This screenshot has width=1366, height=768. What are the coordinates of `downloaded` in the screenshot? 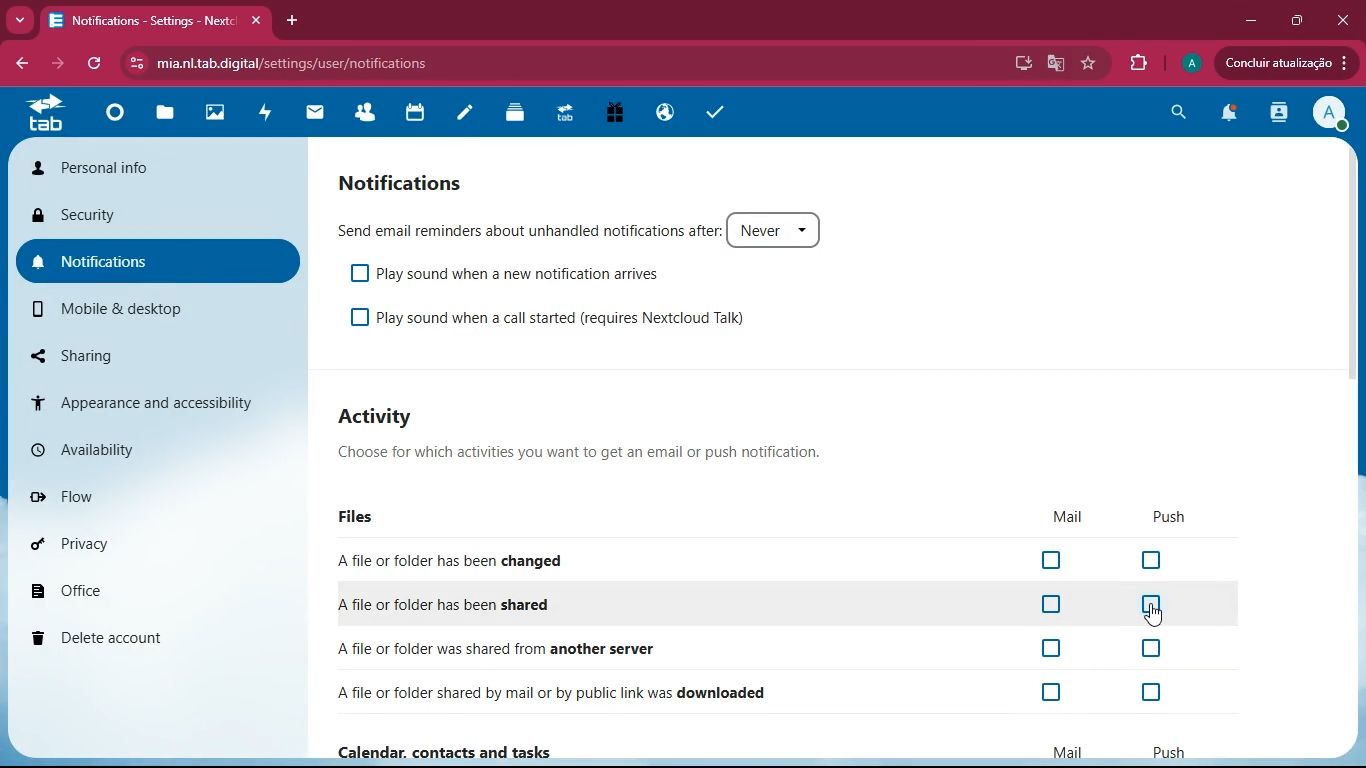 It's located at (614, 693).